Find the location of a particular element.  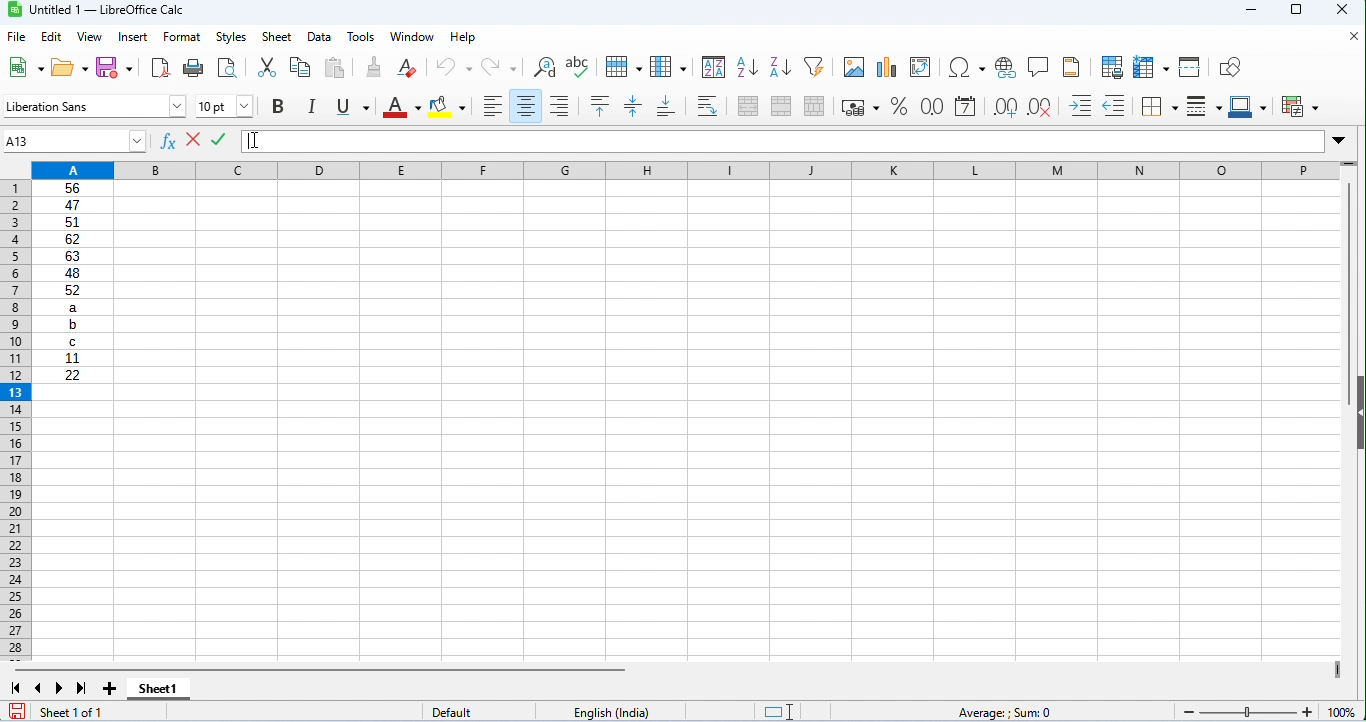

maximize is located at coordinates (1296, 10).